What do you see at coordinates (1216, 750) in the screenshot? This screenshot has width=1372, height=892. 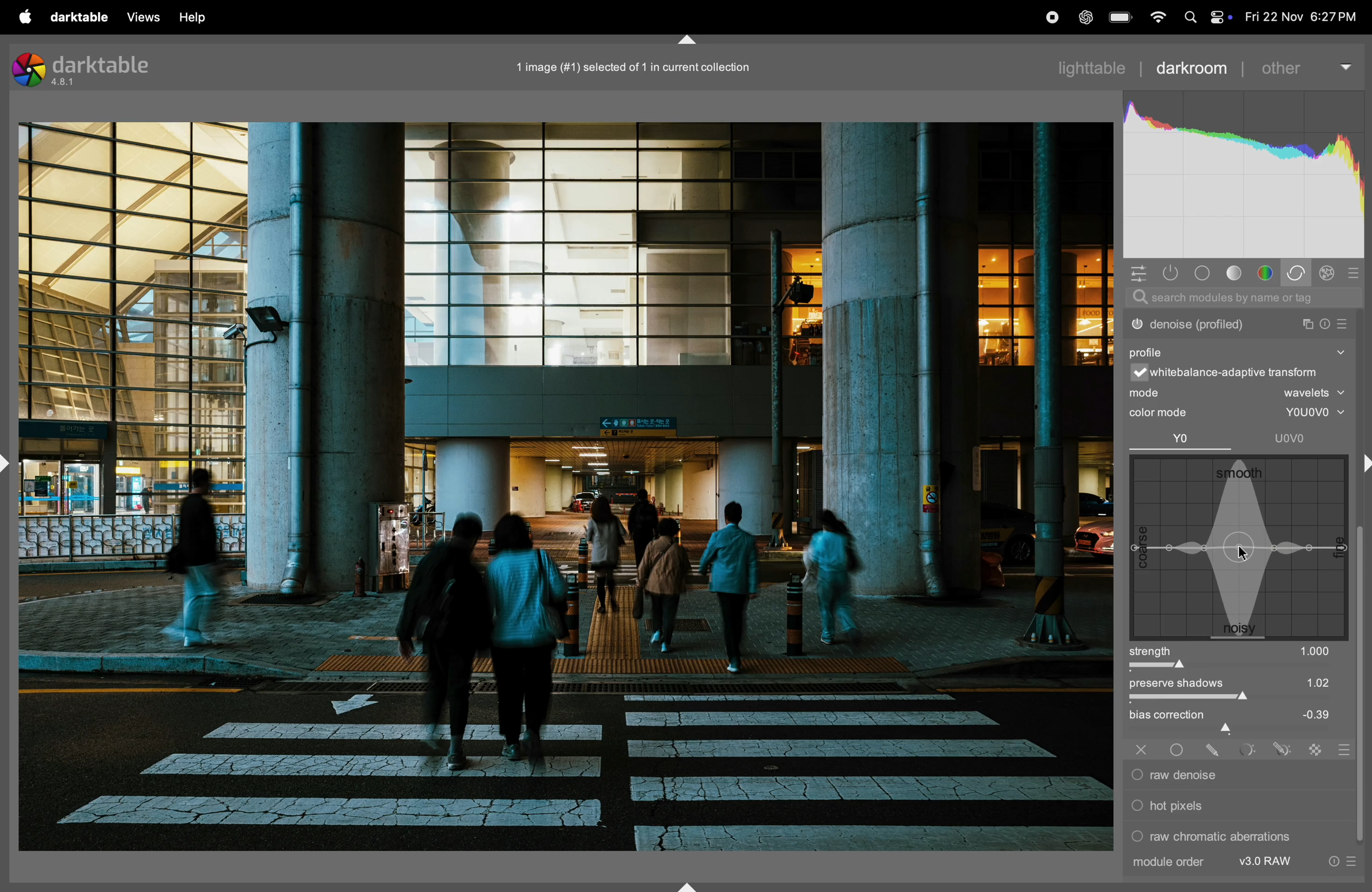 I see `drawn mask` at bounding box center [1216, 750].